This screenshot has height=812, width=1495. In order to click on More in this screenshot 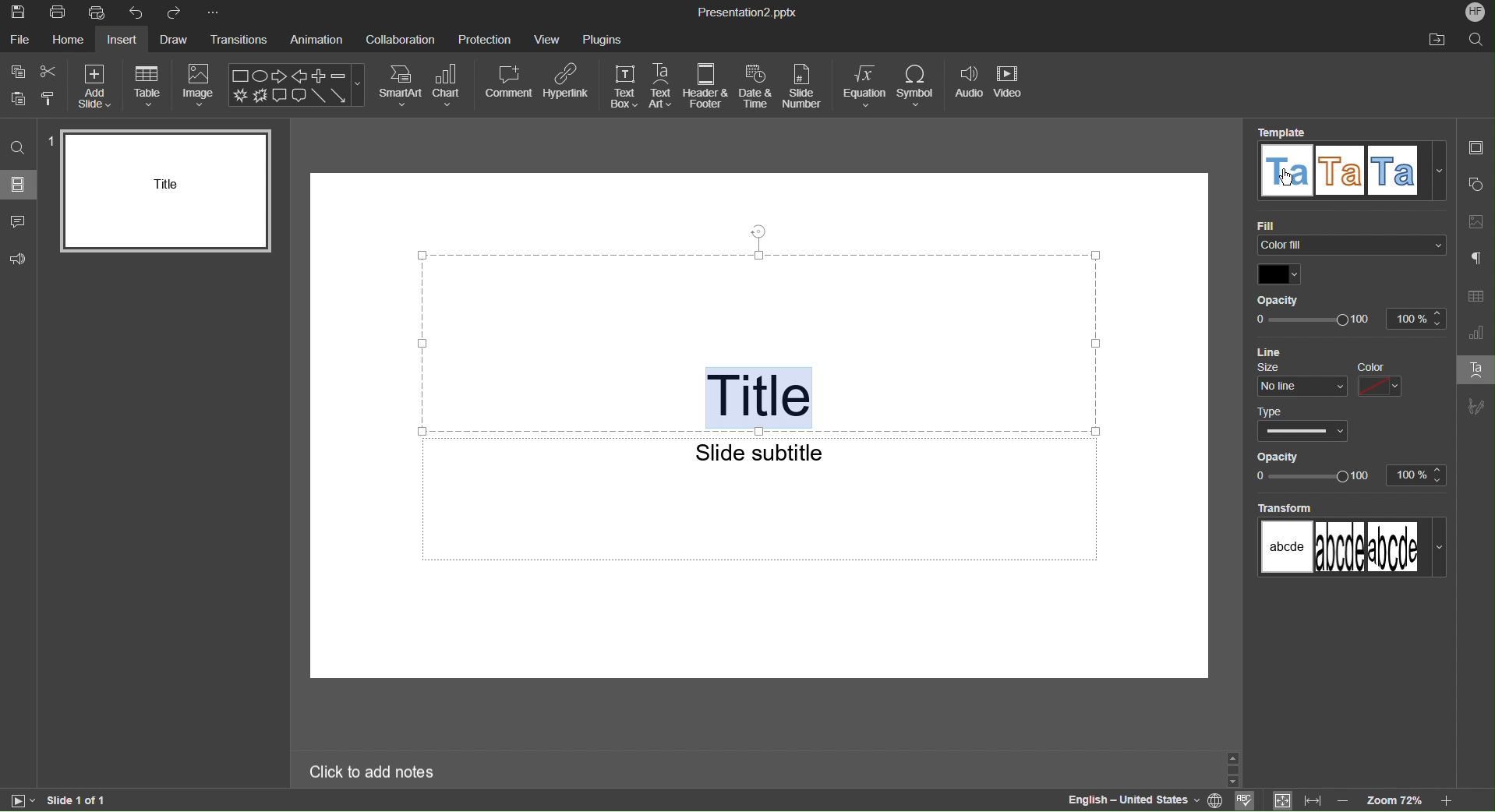, I will do `click(212, 12)`.